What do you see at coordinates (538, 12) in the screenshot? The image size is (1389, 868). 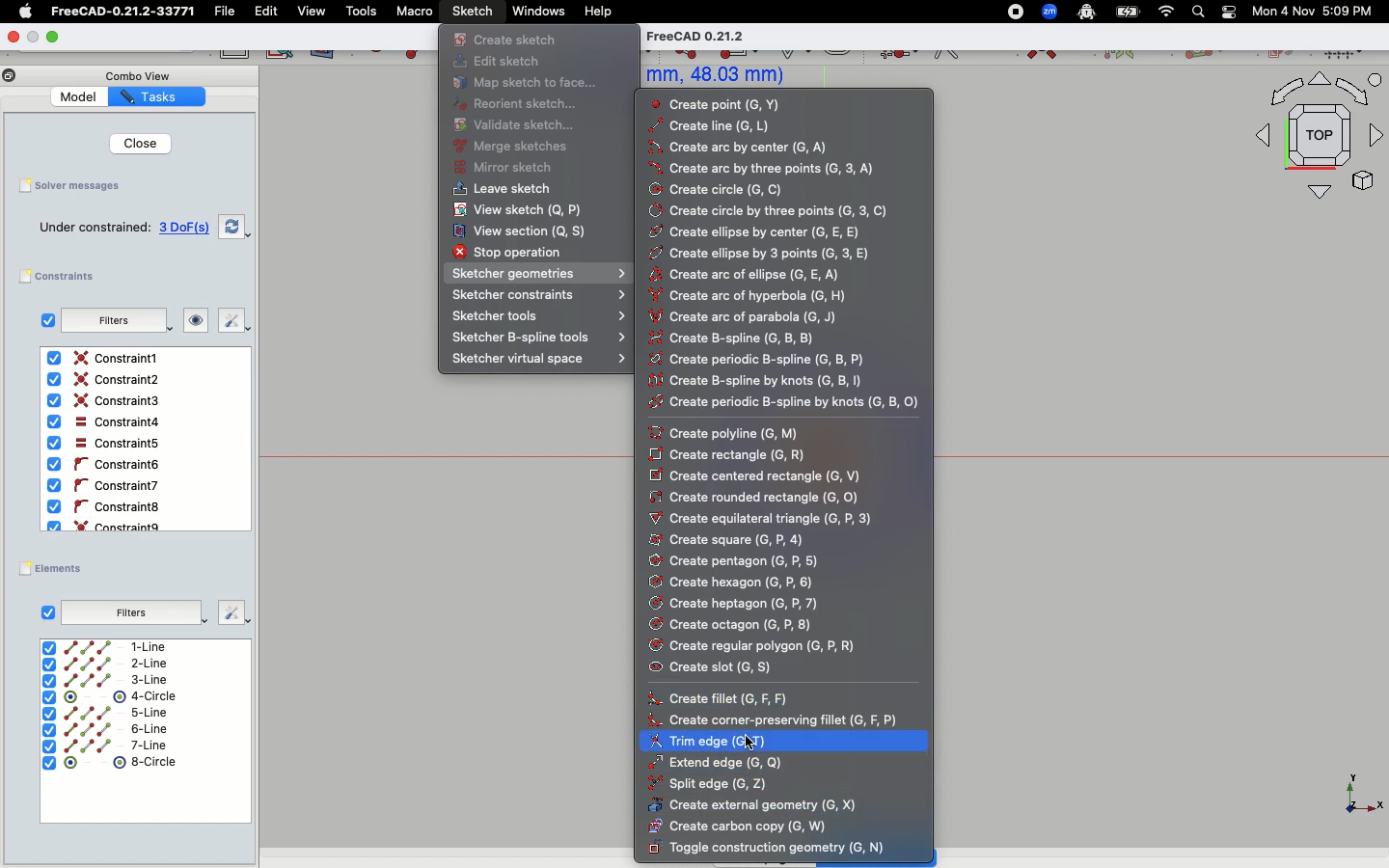 I see `Windows` at bounding box center [538, 12].